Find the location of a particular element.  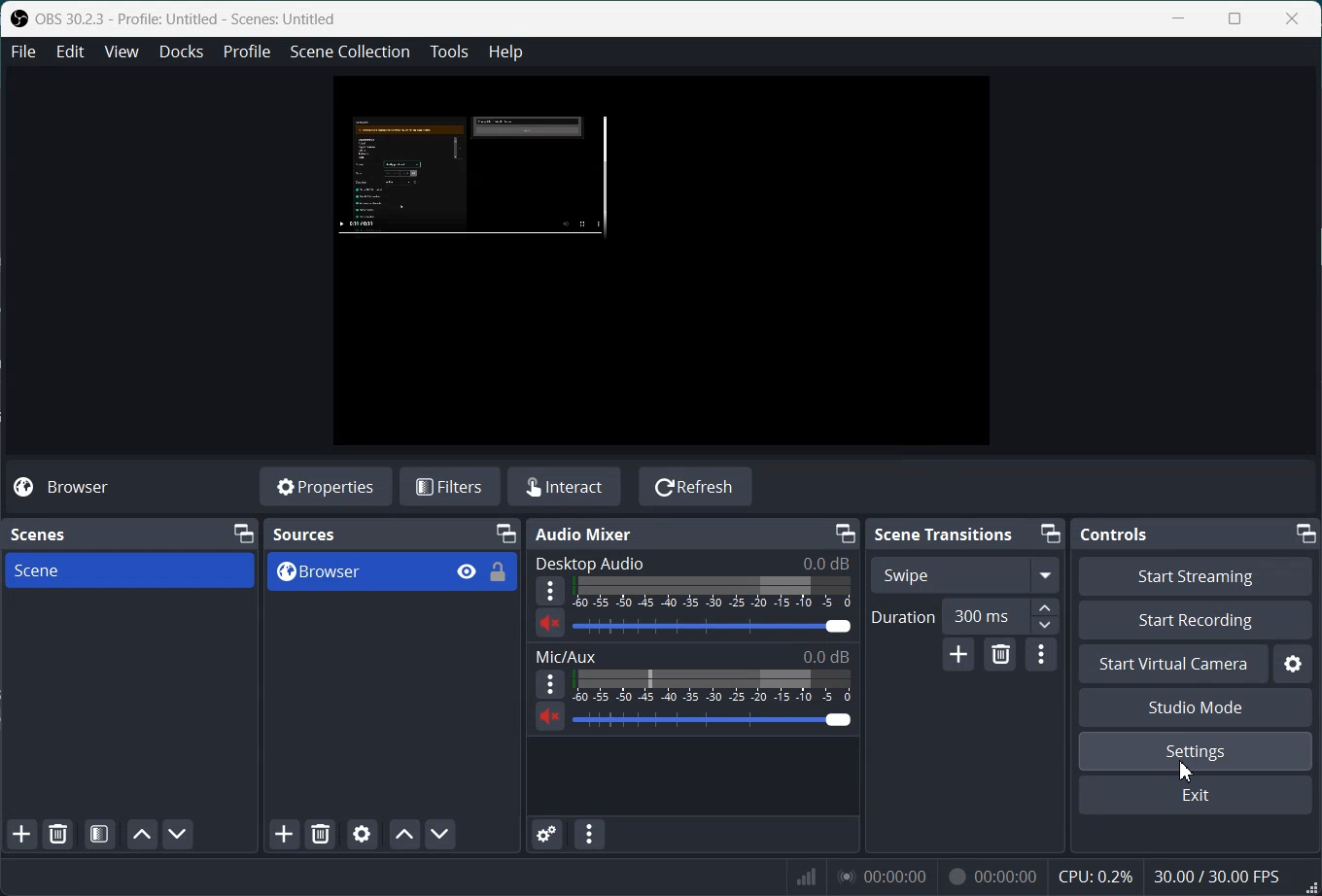

Refresh is located at coordinates (695, 485).